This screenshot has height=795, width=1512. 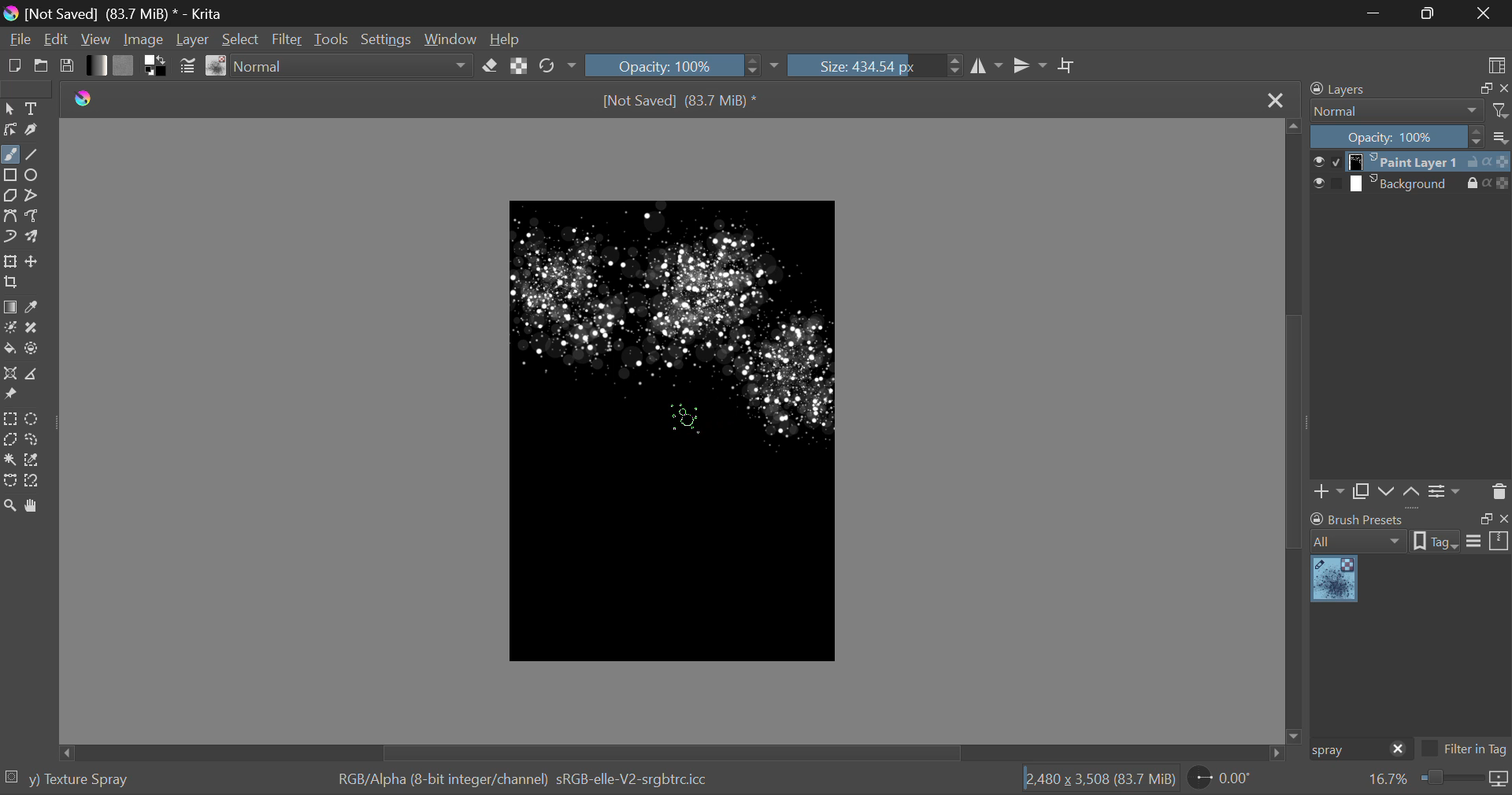 What do you see at coordinates (1488, 183) in the screenshot?
I see `actions` at bounding box center [1488, 183].